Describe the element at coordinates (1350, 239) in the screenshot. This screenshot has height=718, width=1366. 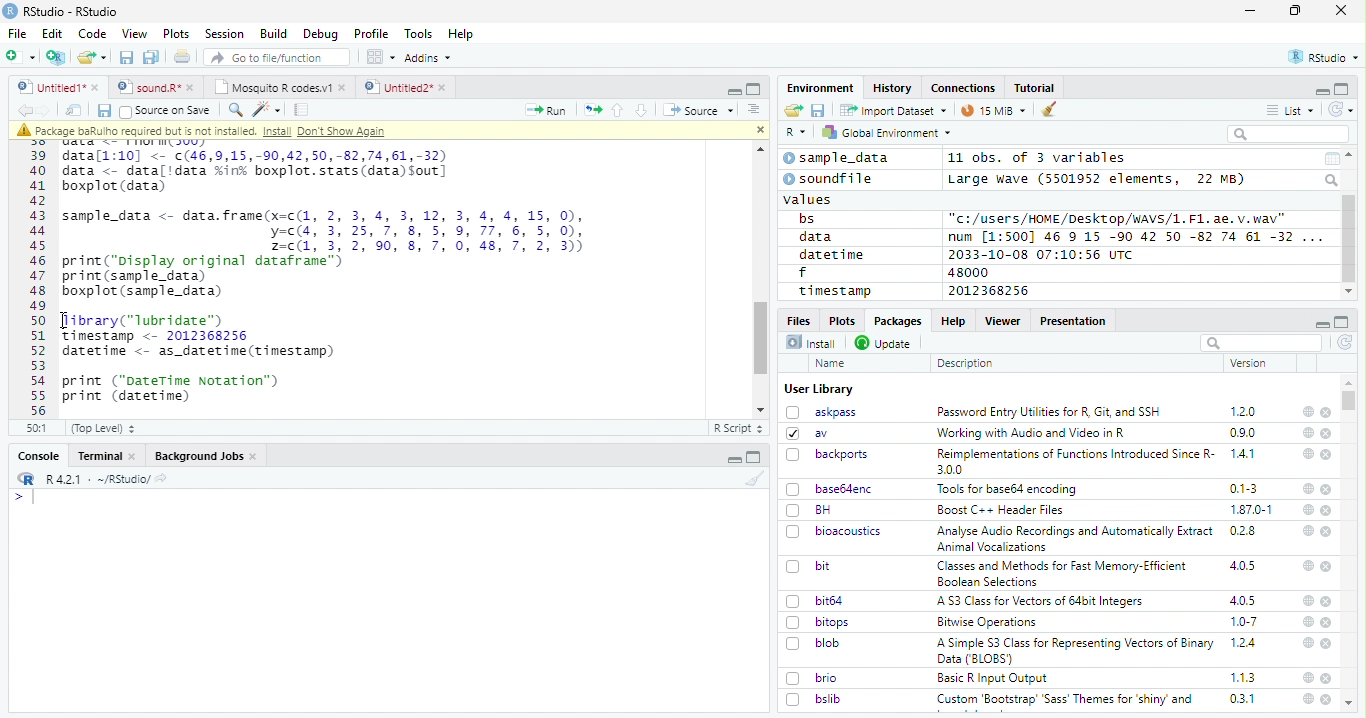
I see `Scroll bar` at that location.